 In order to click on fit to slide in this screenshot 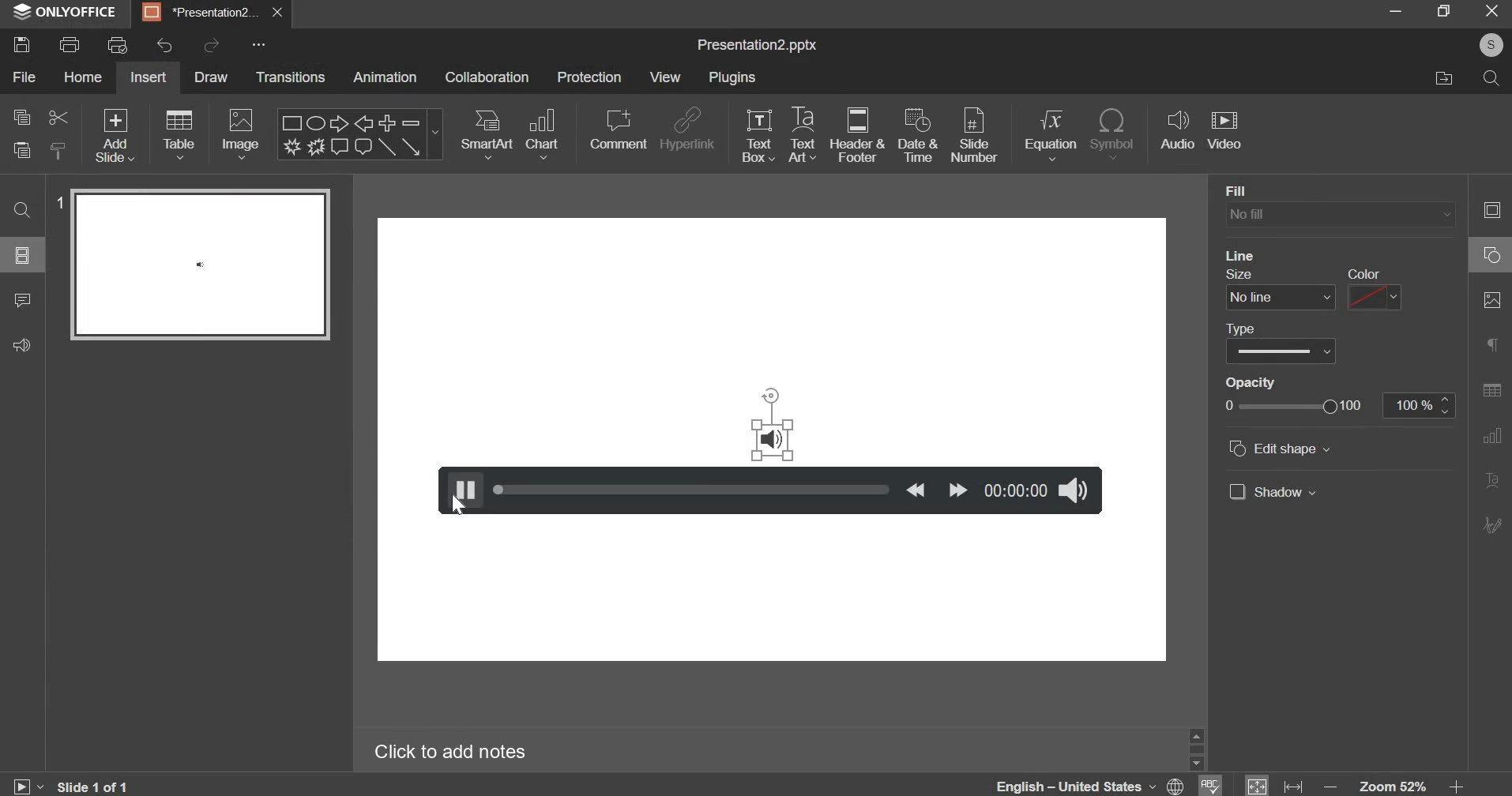, I will do `click(1256, 784)`.